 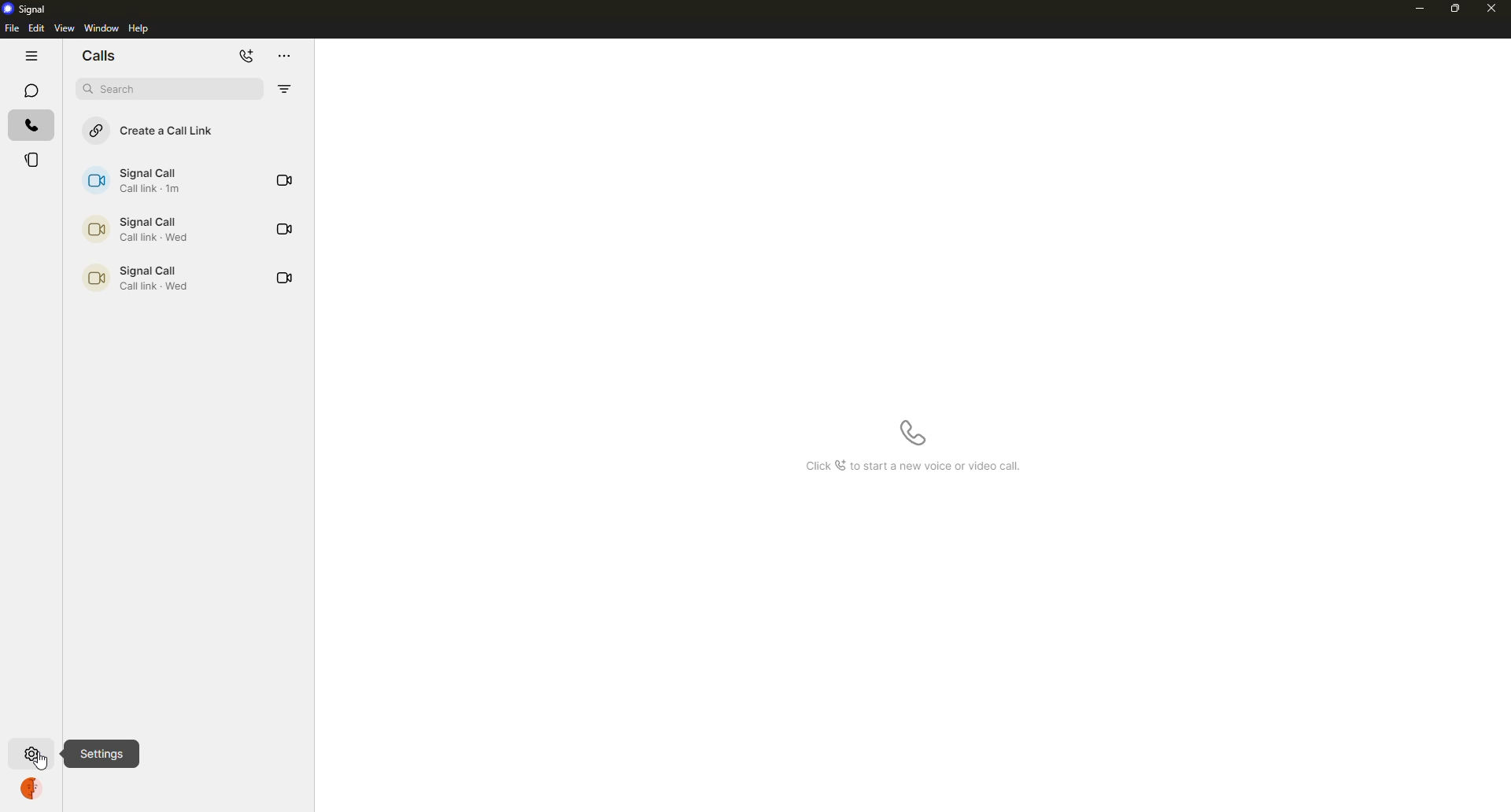 I want to click on profile, so click(x=31, y=790).